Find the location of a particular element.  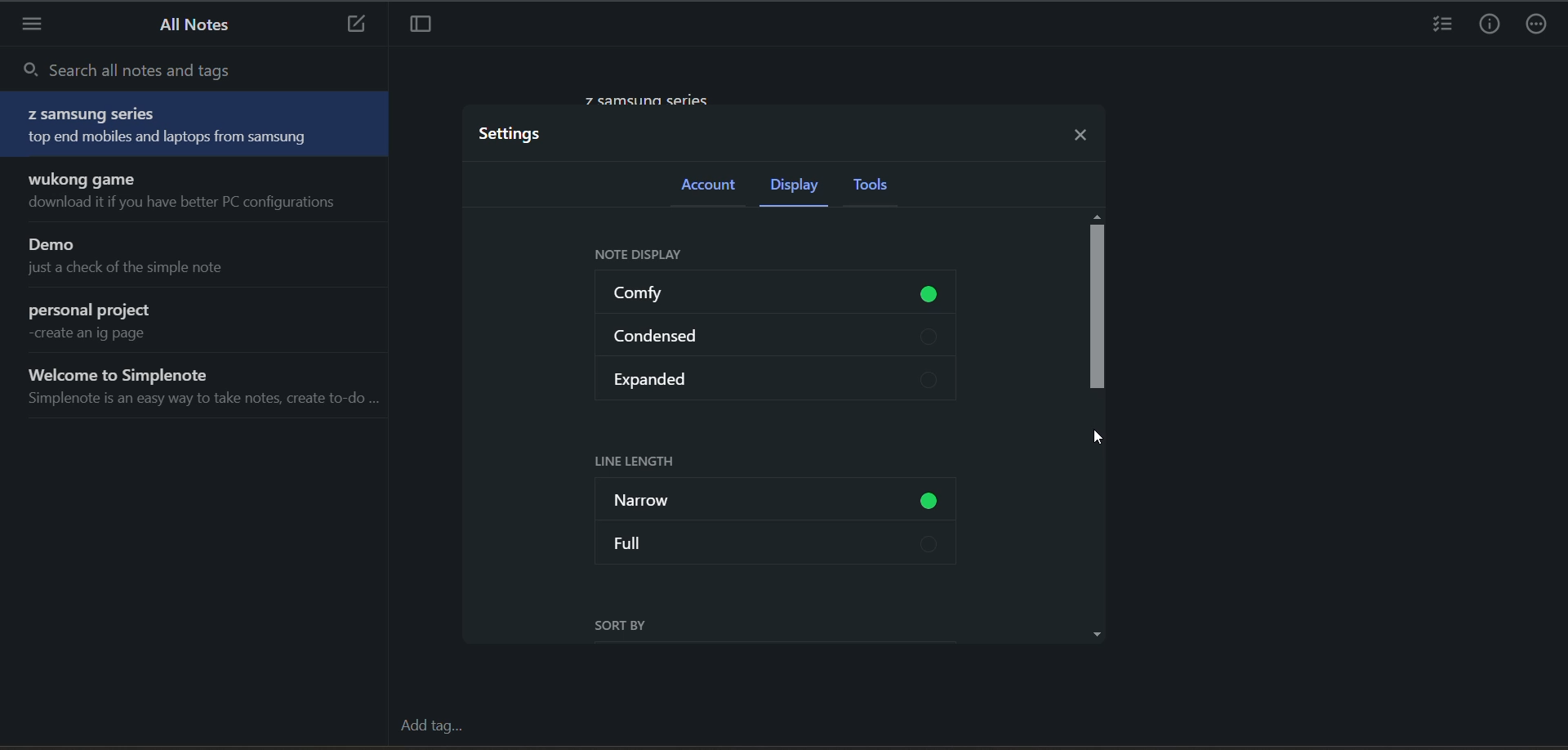

new note is located at coordinates (353, 24).